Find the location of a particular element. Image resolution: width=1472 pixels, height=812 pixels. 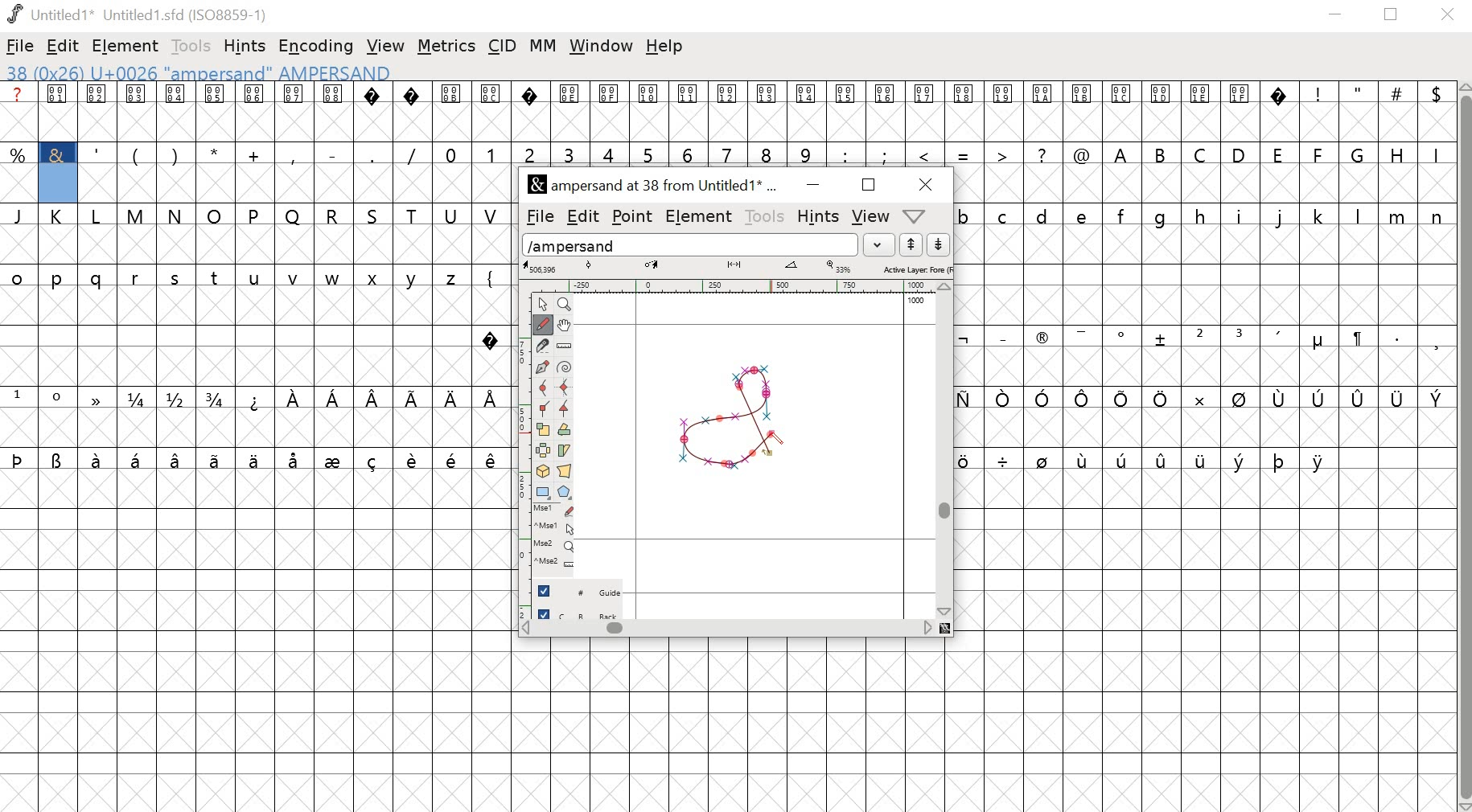

symbol is located at coordinates (1197, 397).